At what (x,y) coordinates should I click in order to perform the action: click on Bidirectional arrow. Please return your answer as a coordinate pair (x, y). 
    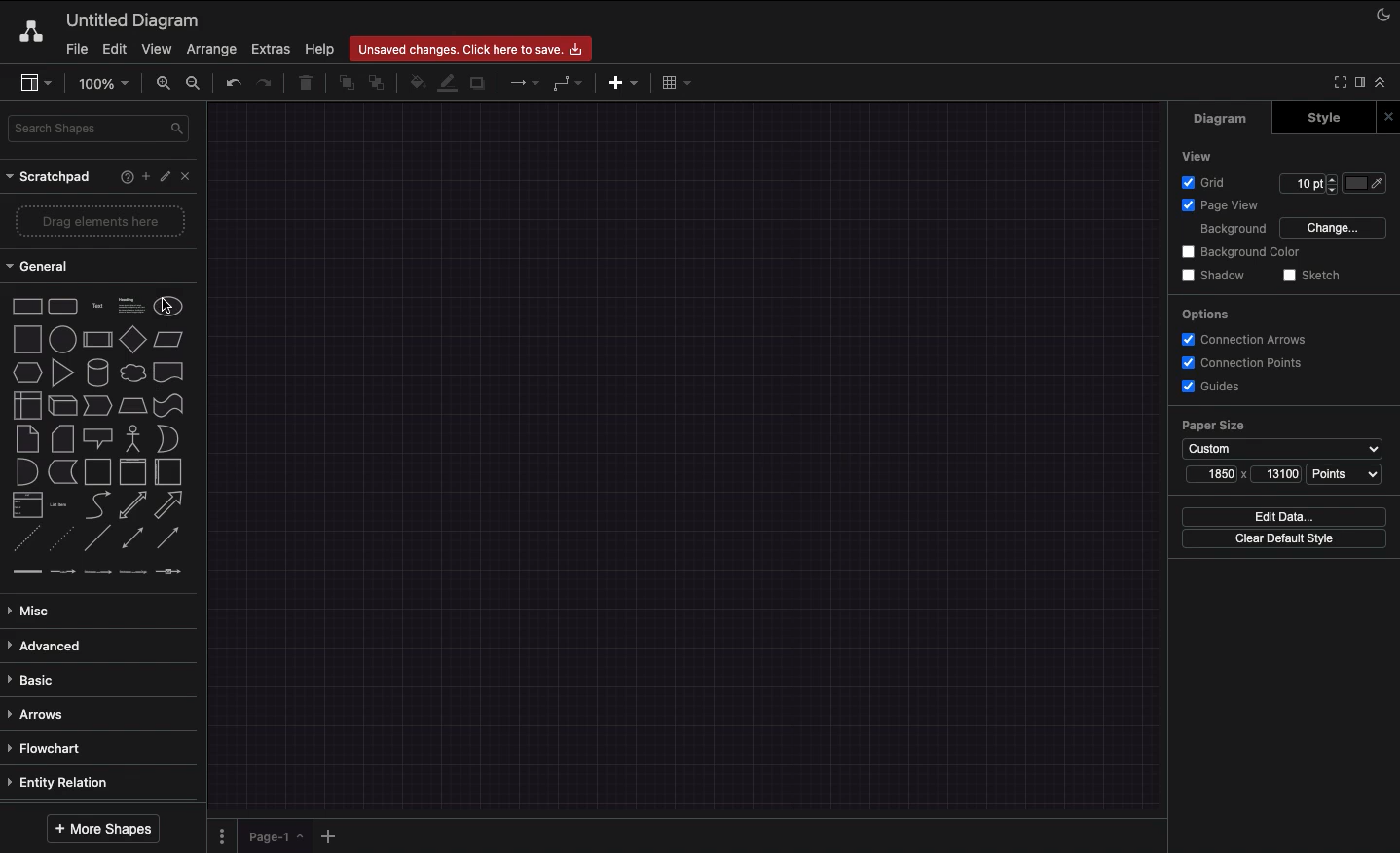
    Looking at the image, I should click on (132, 504).